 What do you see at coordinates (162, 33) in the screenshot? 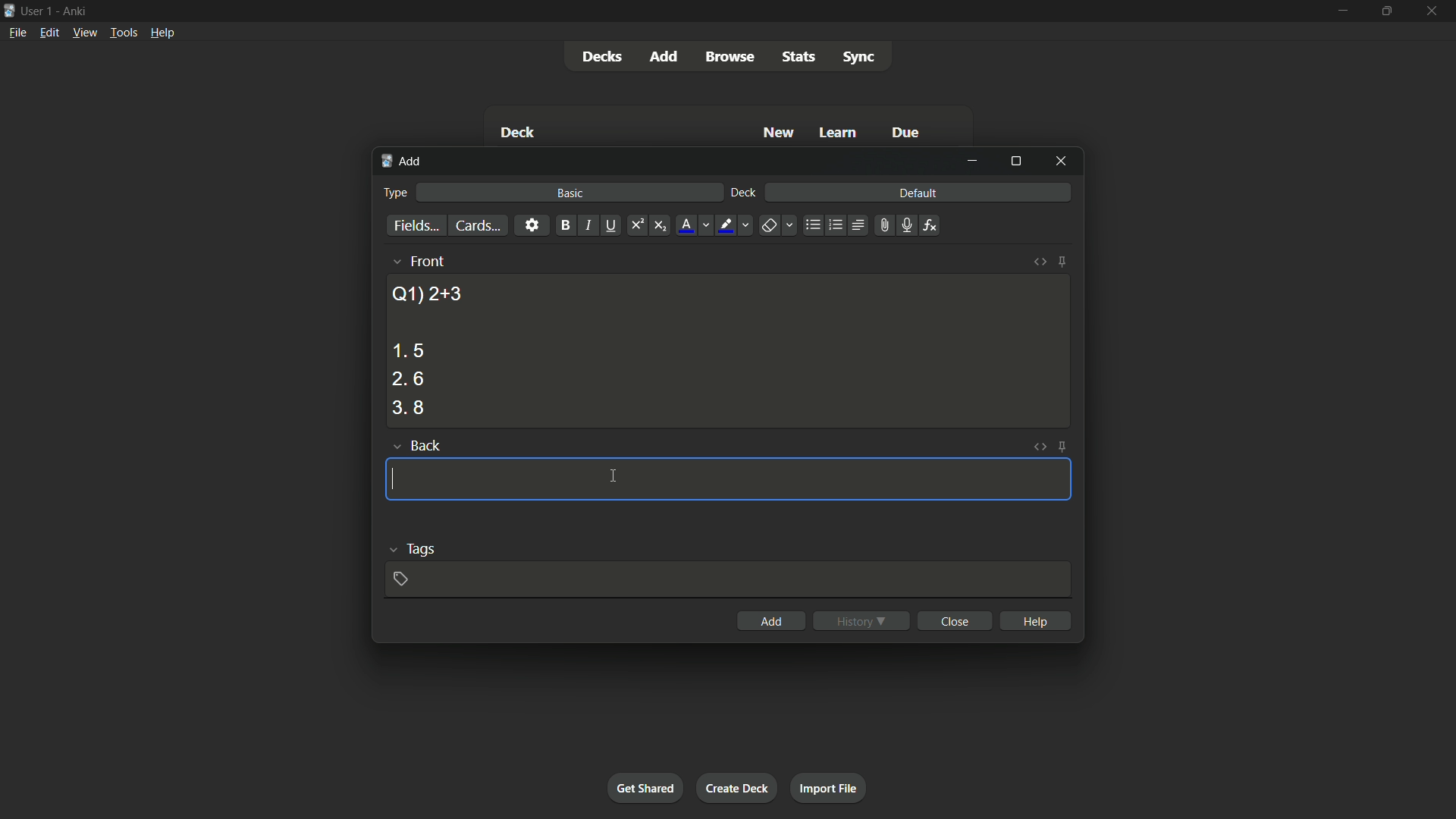
I see `help menu` at bounding box center [162, 33].